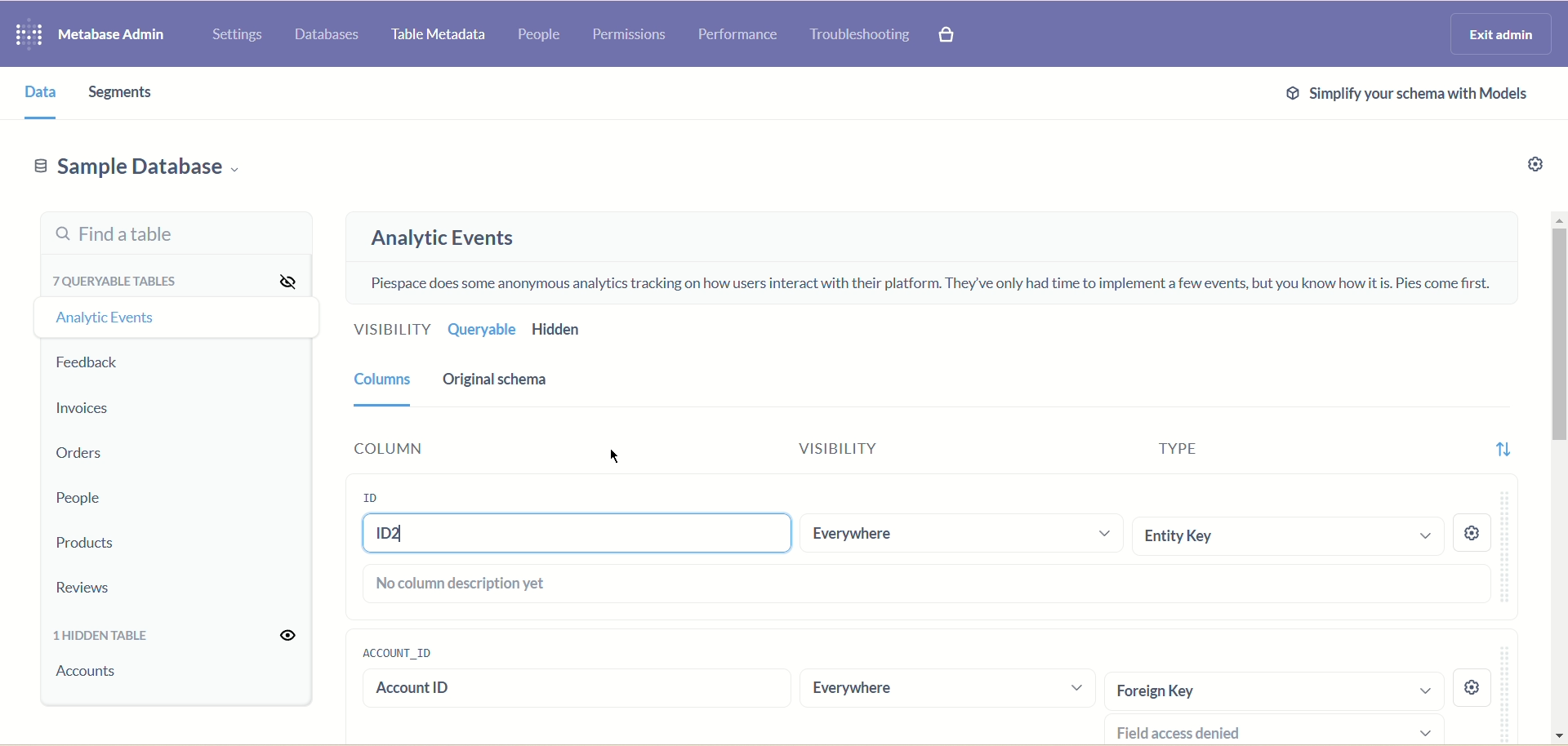 The image size is (1568, 746). Describe the element at coordinates (78, 452) in the screenshot. I see `Orders` at that location.